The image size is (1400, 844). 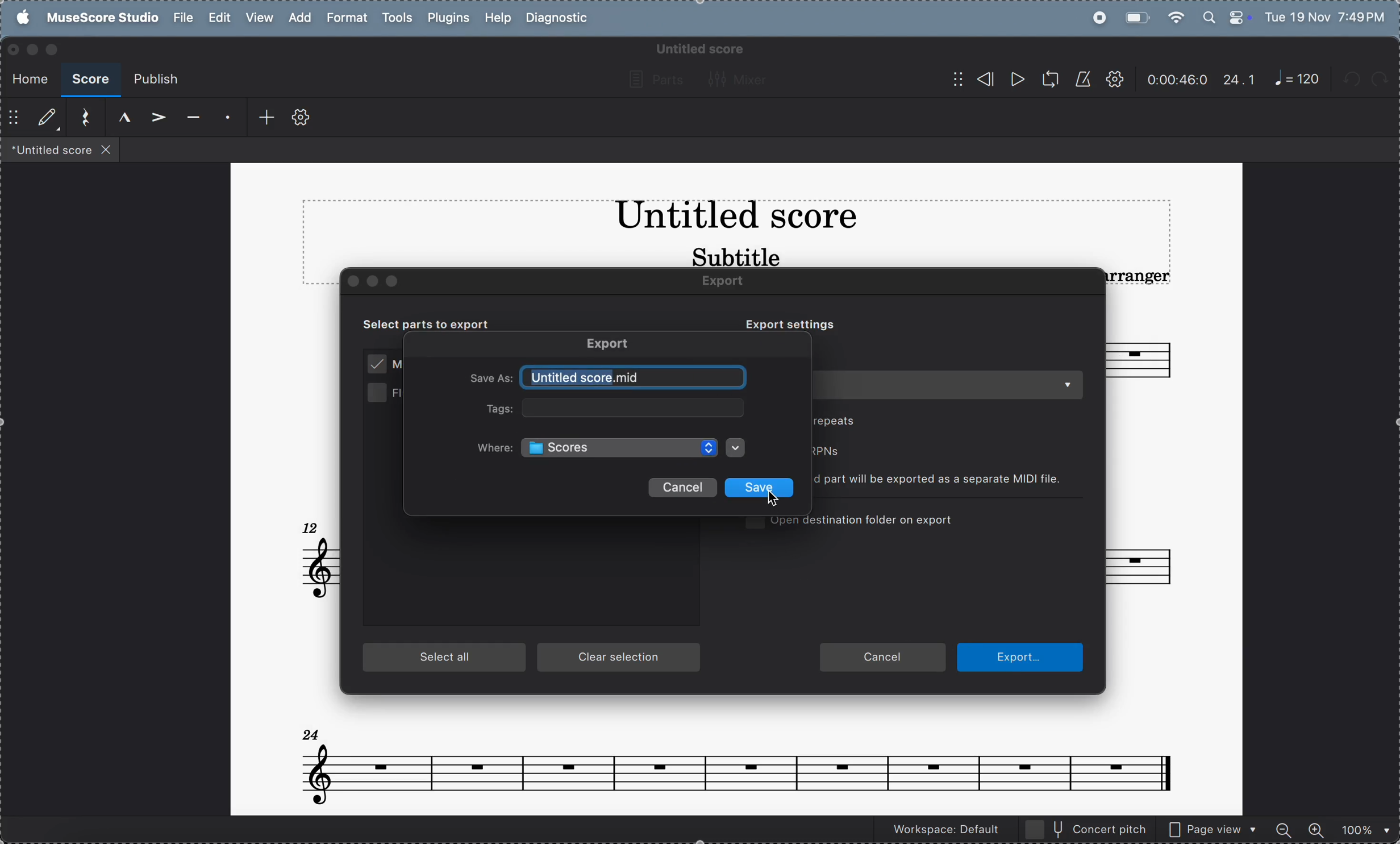 I want to click on minimize, so click(x=32, y=49).